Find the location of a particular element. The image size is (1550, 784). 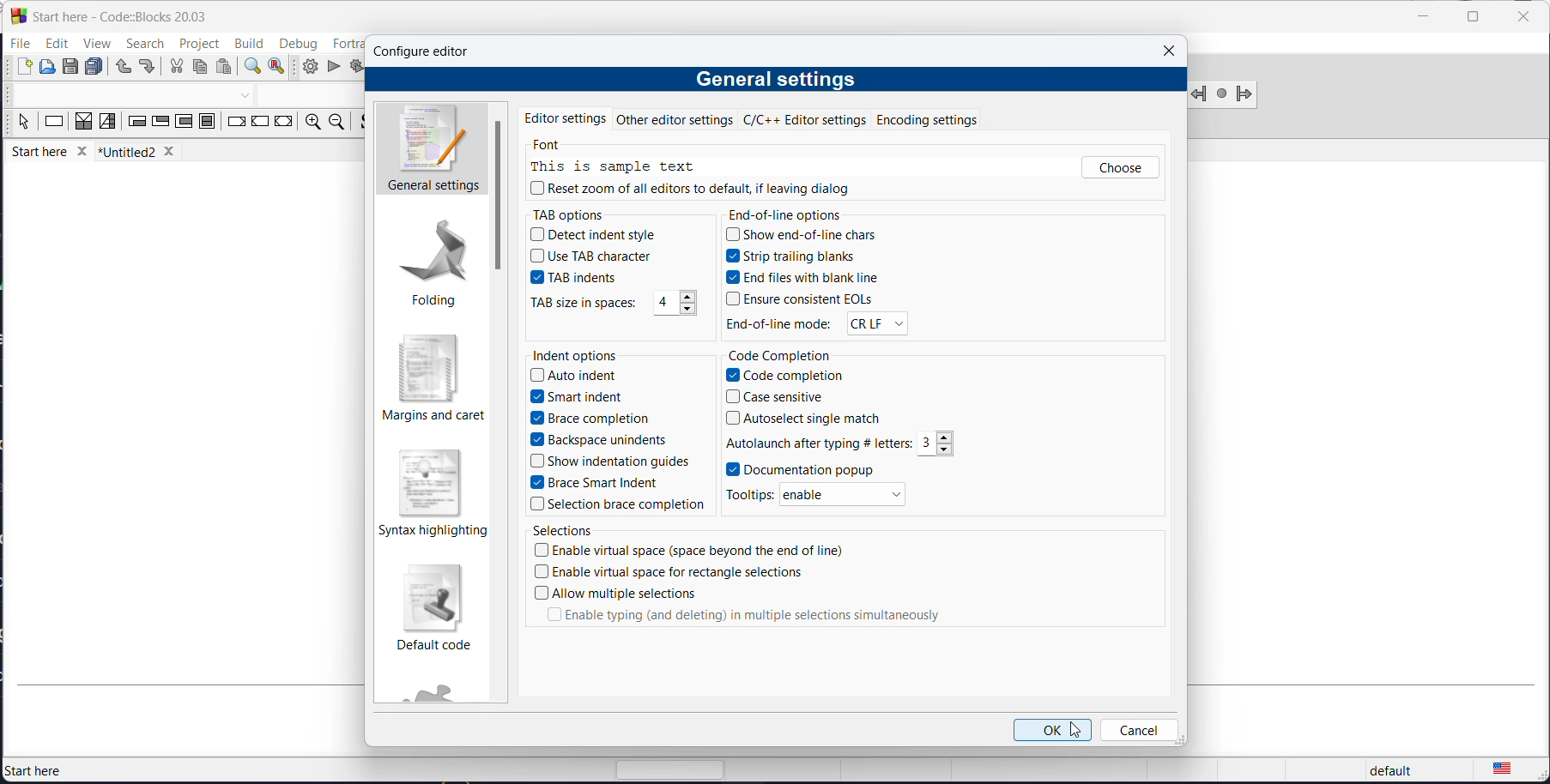

end of line options is located at coordinates (793, 212).